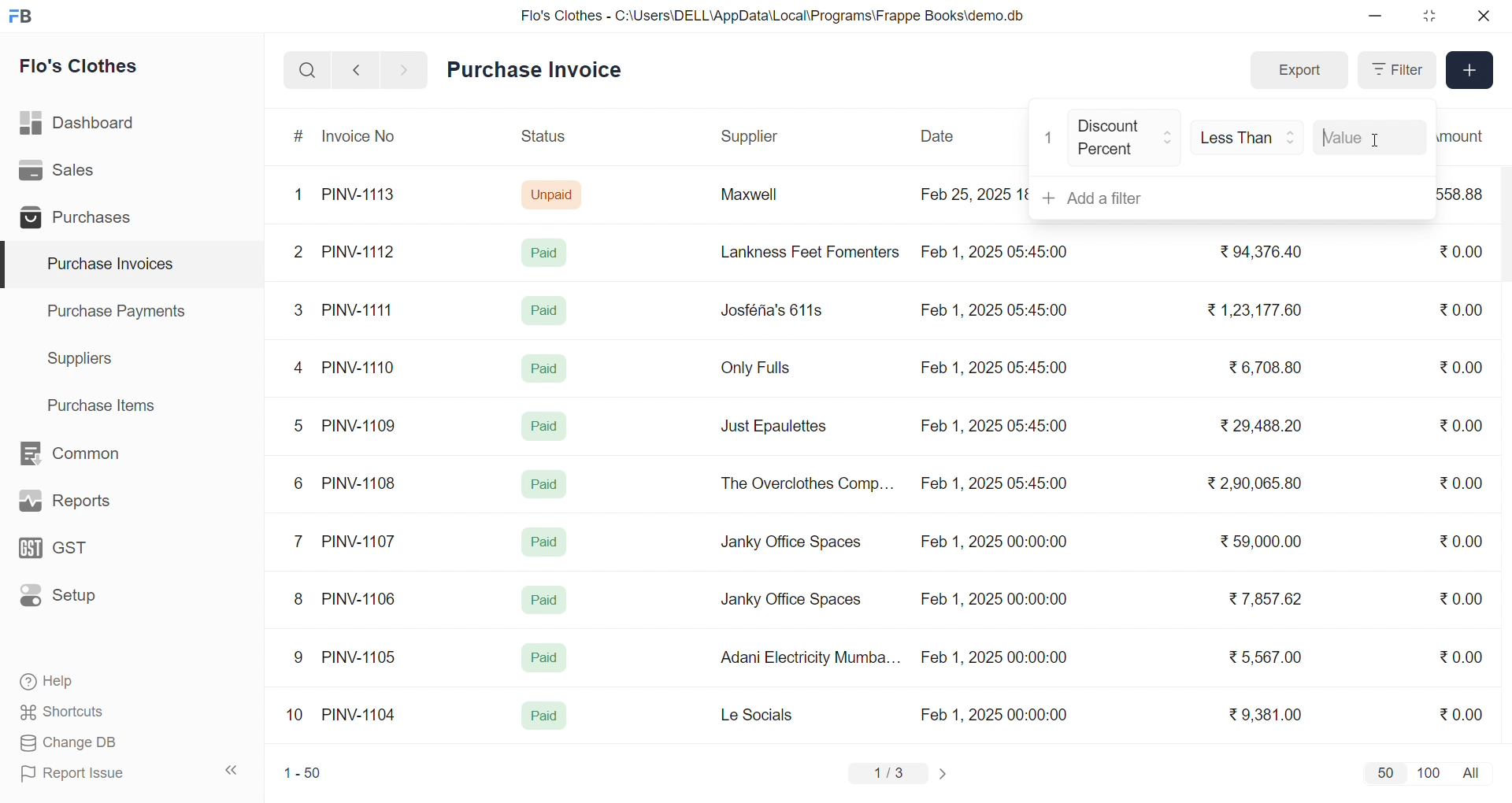 The image size is (1512, 803). What do you see at coordinates (9, 265) in the screenshot?
I see `selected` at bounding box center [9, 265].